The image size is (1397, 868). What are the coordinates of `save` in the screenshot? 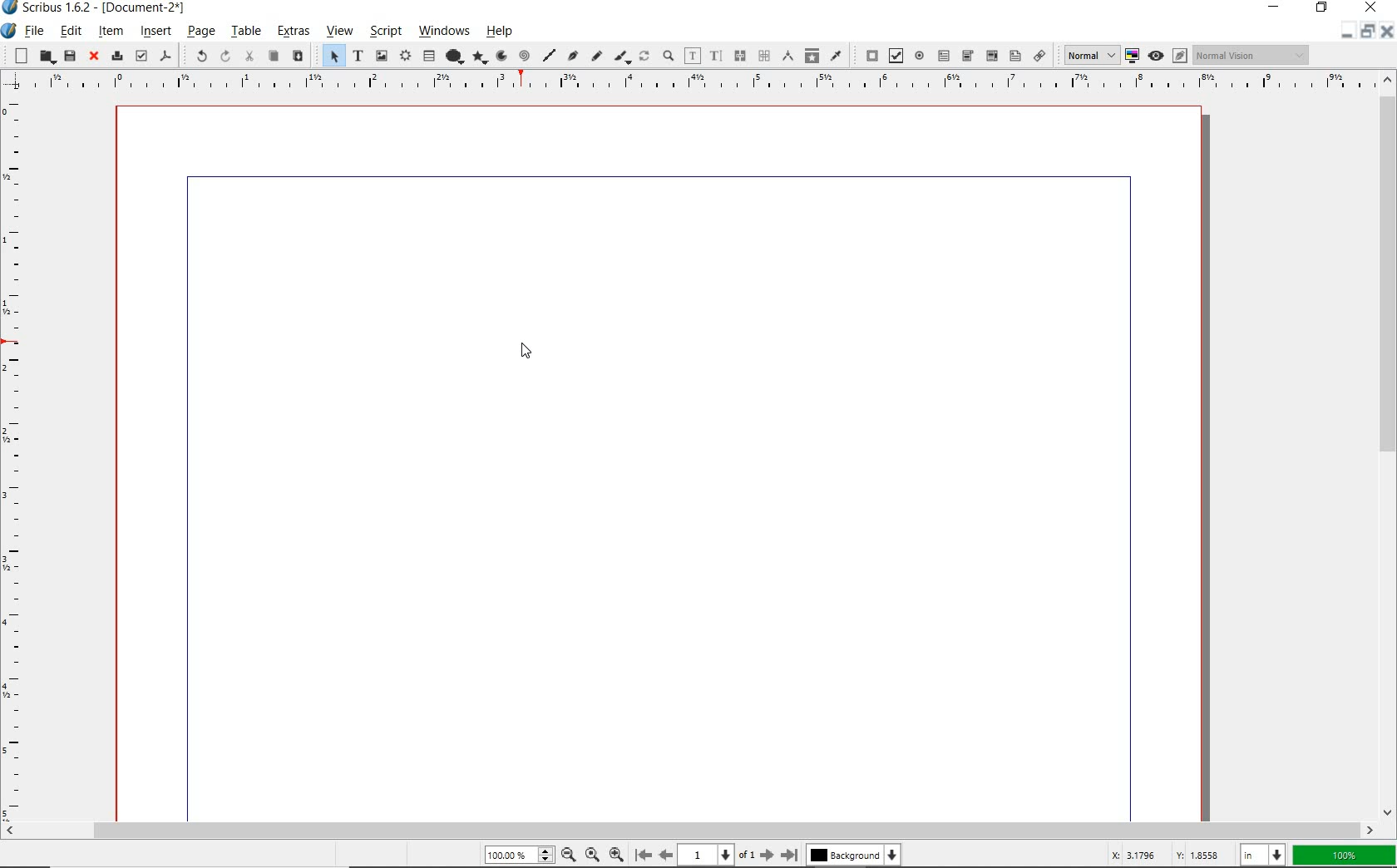 It's located at (69, 55).